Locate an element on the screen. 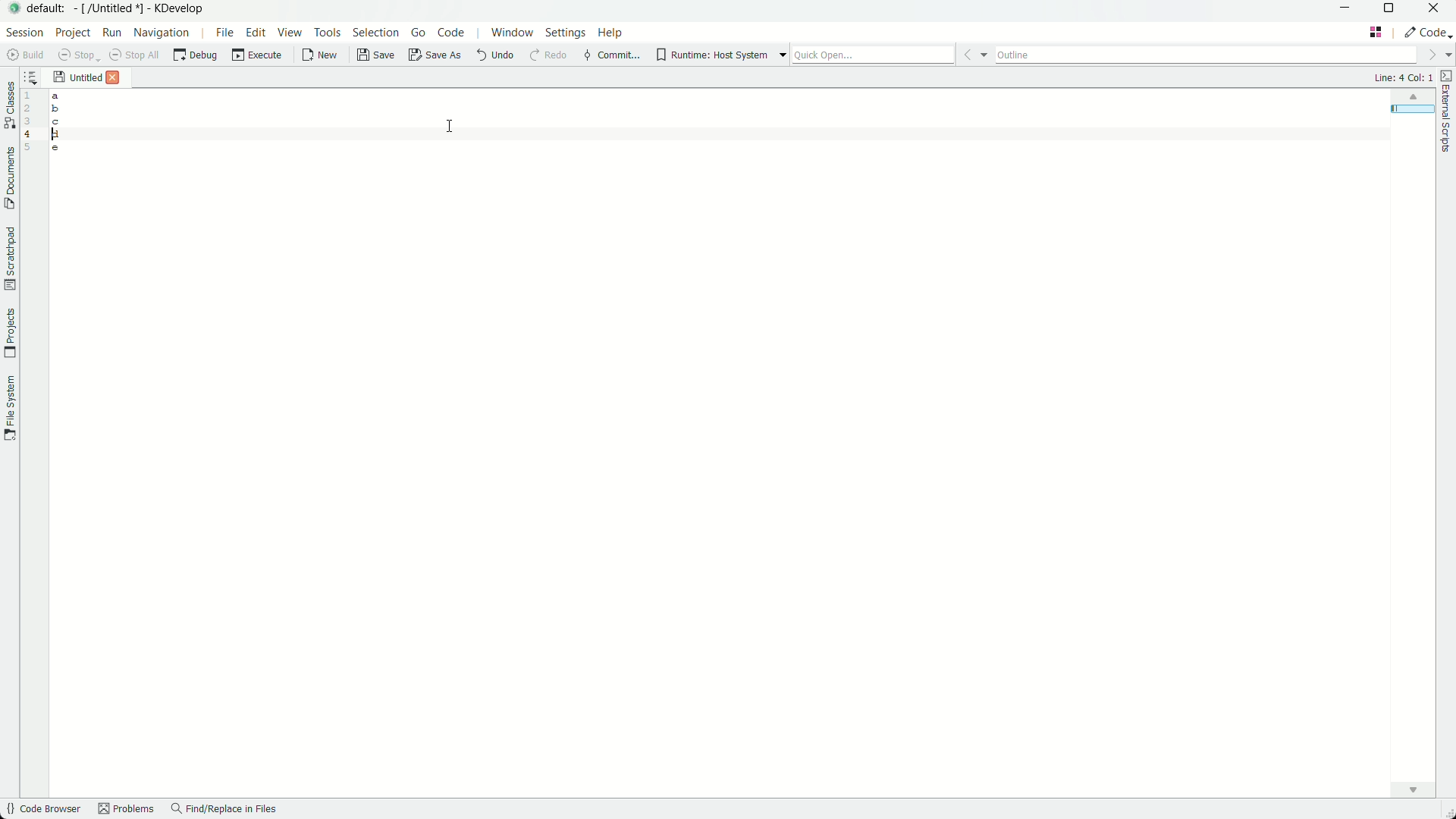 Image resolution: width=1456 pixels, height=819 pixels. quick open is located at coordinates (893, 54).